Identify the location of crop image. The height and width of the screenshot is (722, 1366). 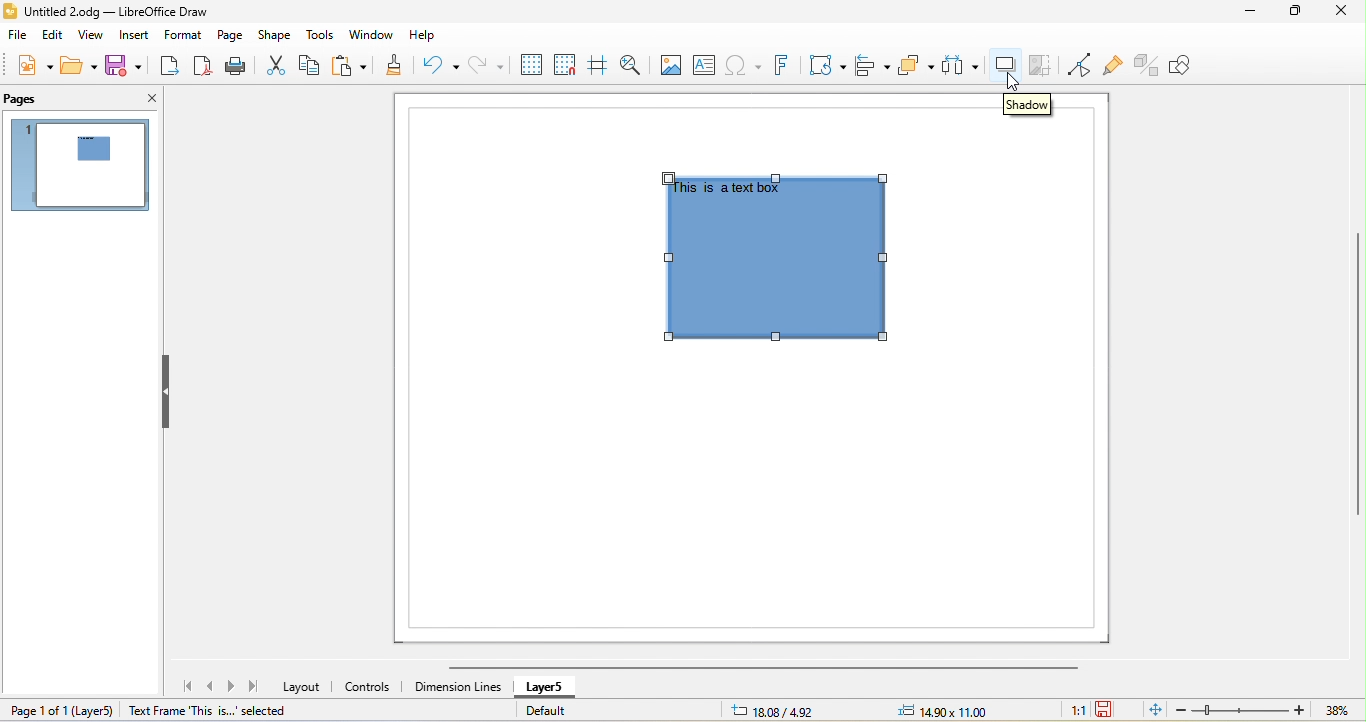
(1044, 64).